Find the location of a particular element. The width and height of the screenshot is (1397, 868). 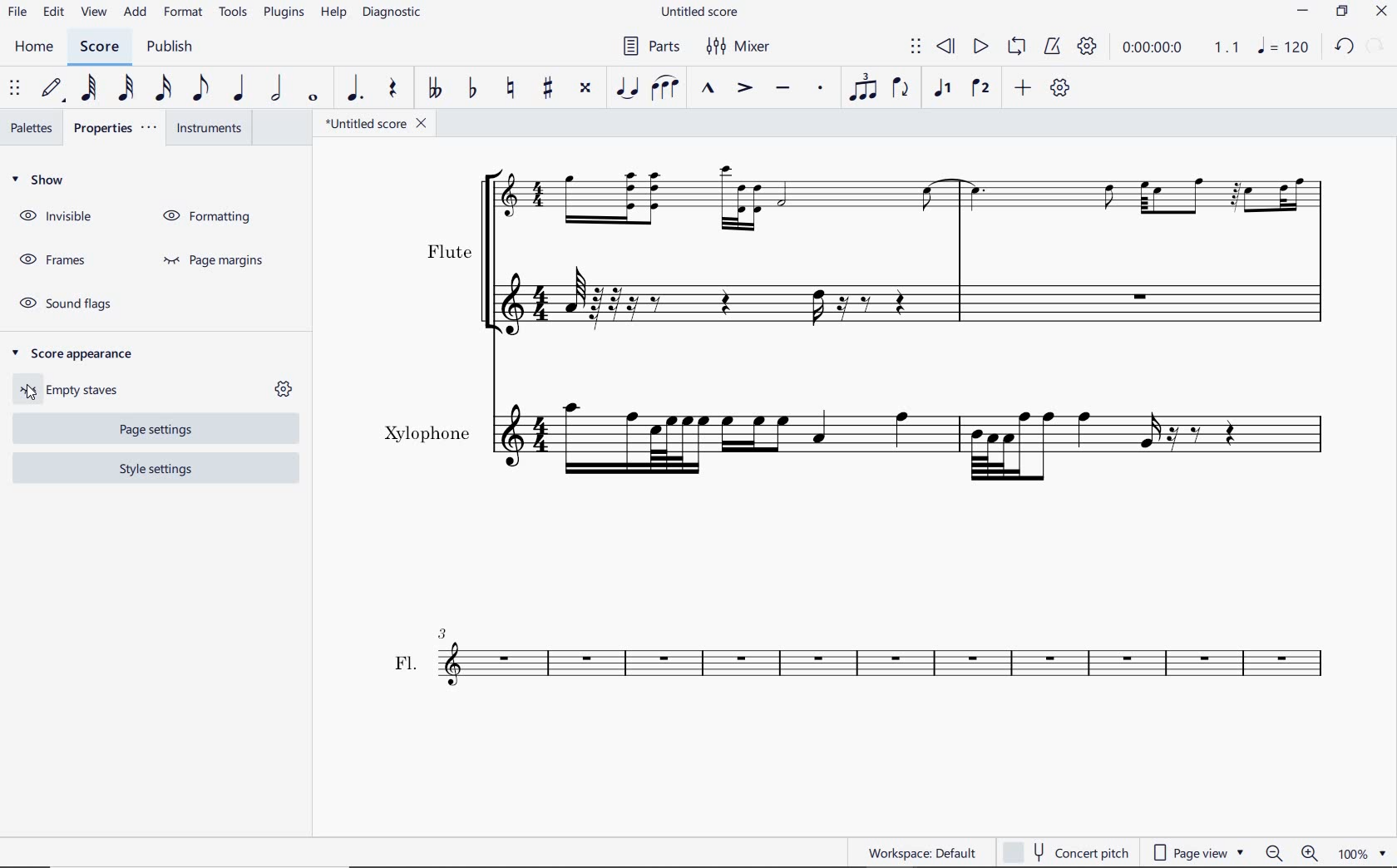

ENABLED HIDE EMPTY STAVES is located at coordinates (78, 389).